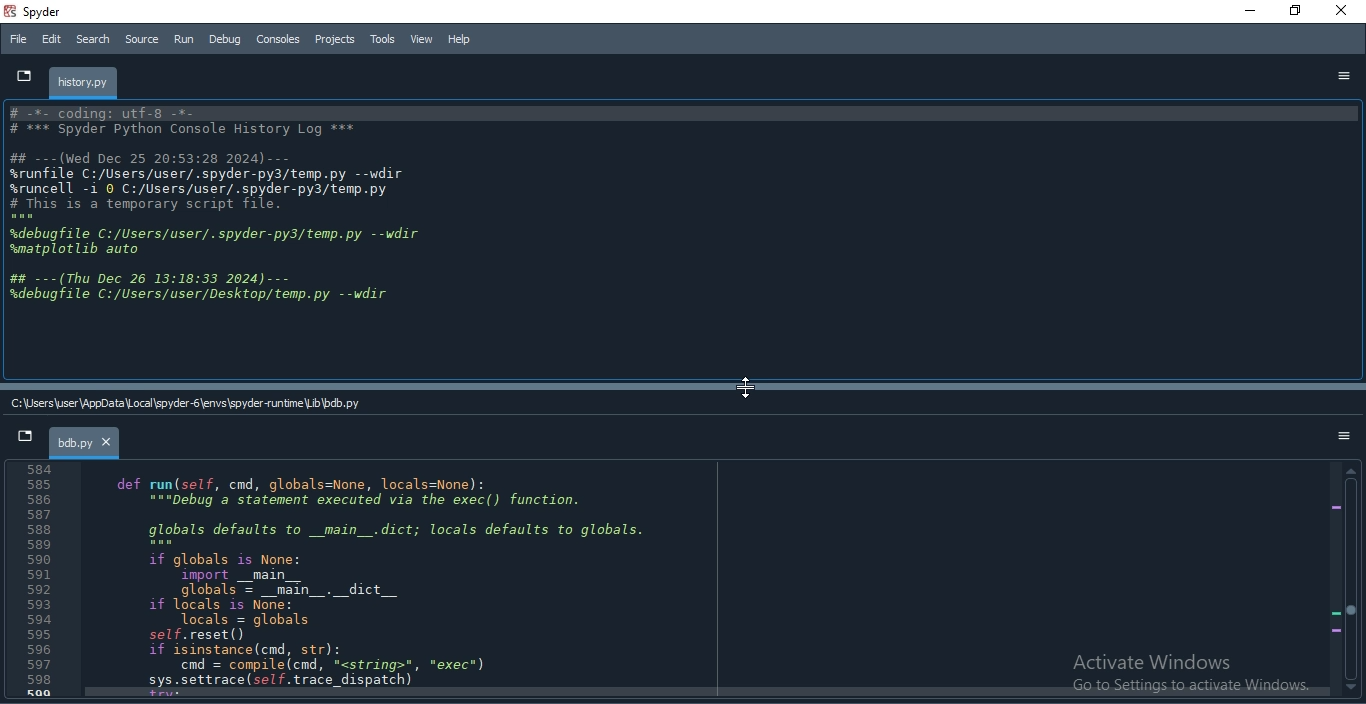 This screenshot has height=704, width=1366. I want to click on scroll bar, so click(683, 386).